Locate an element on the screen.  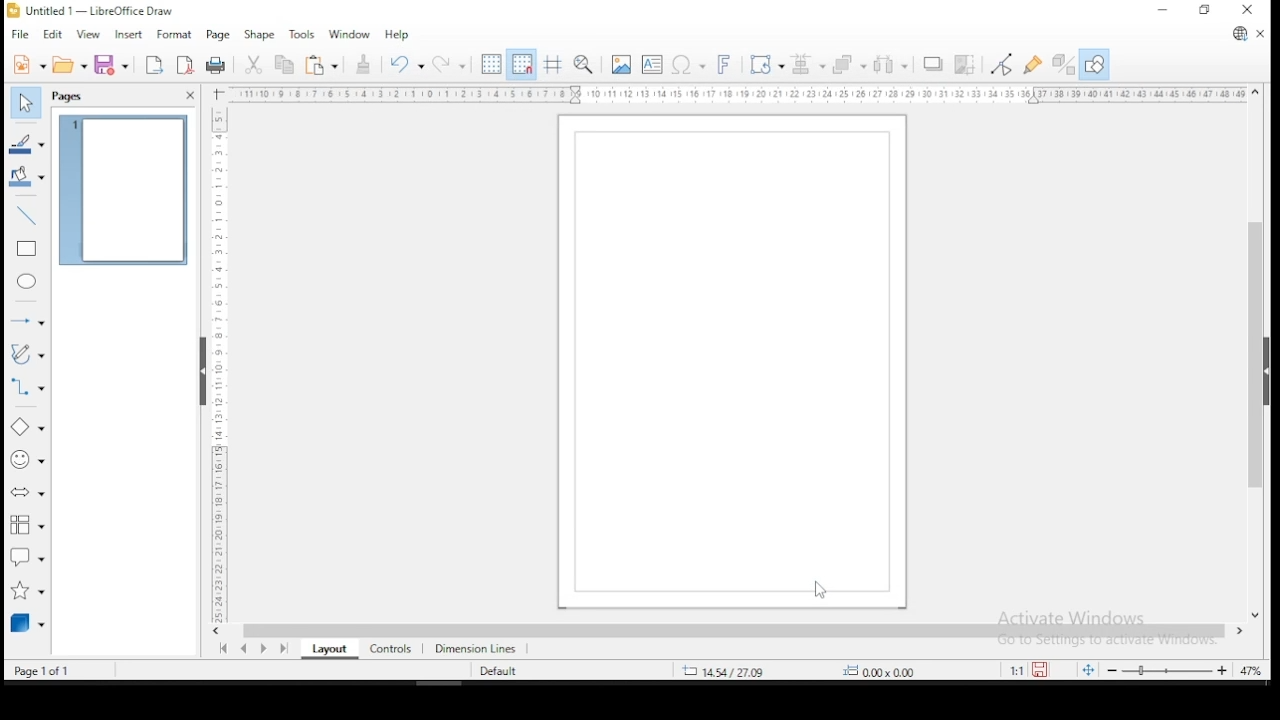
page is located at coordinates (219, 37).